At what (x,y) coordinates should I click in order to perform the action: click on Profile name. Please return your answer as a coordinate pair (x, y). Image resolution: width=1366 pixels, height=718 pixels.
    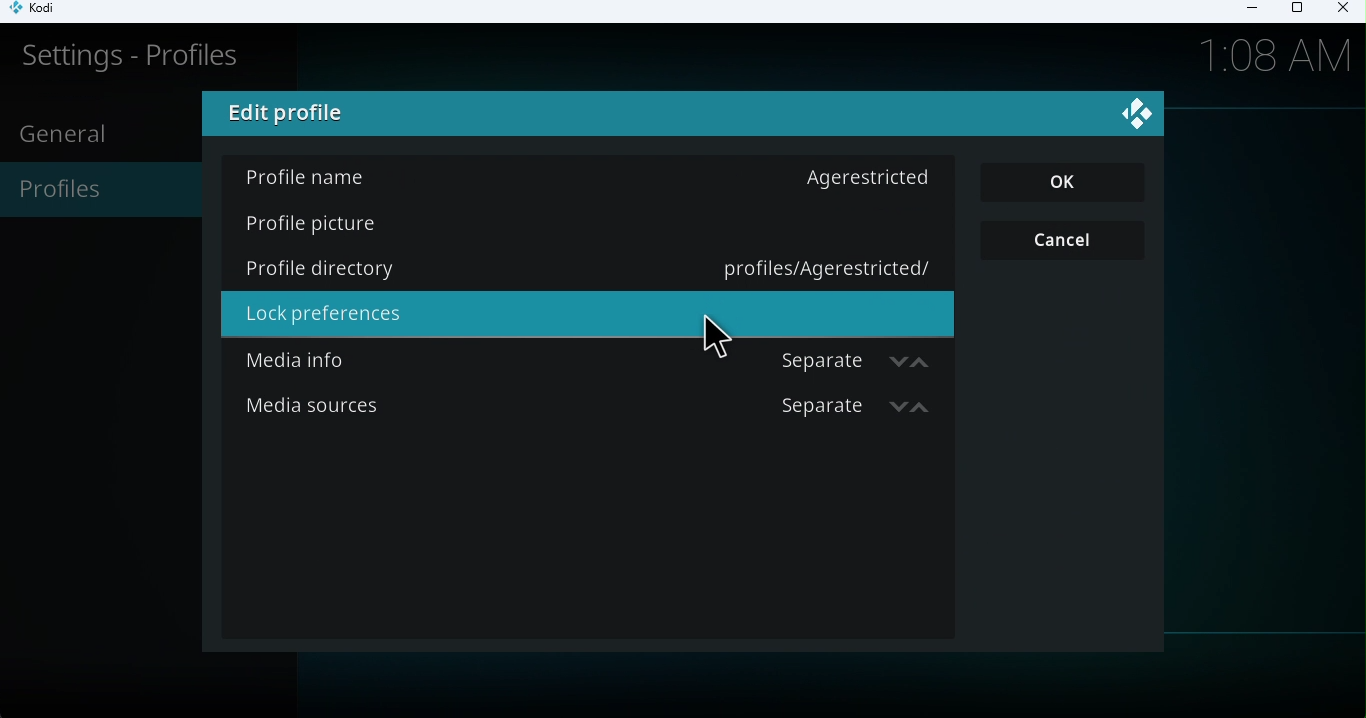
    Looking at the image, I should click on (590, 177).